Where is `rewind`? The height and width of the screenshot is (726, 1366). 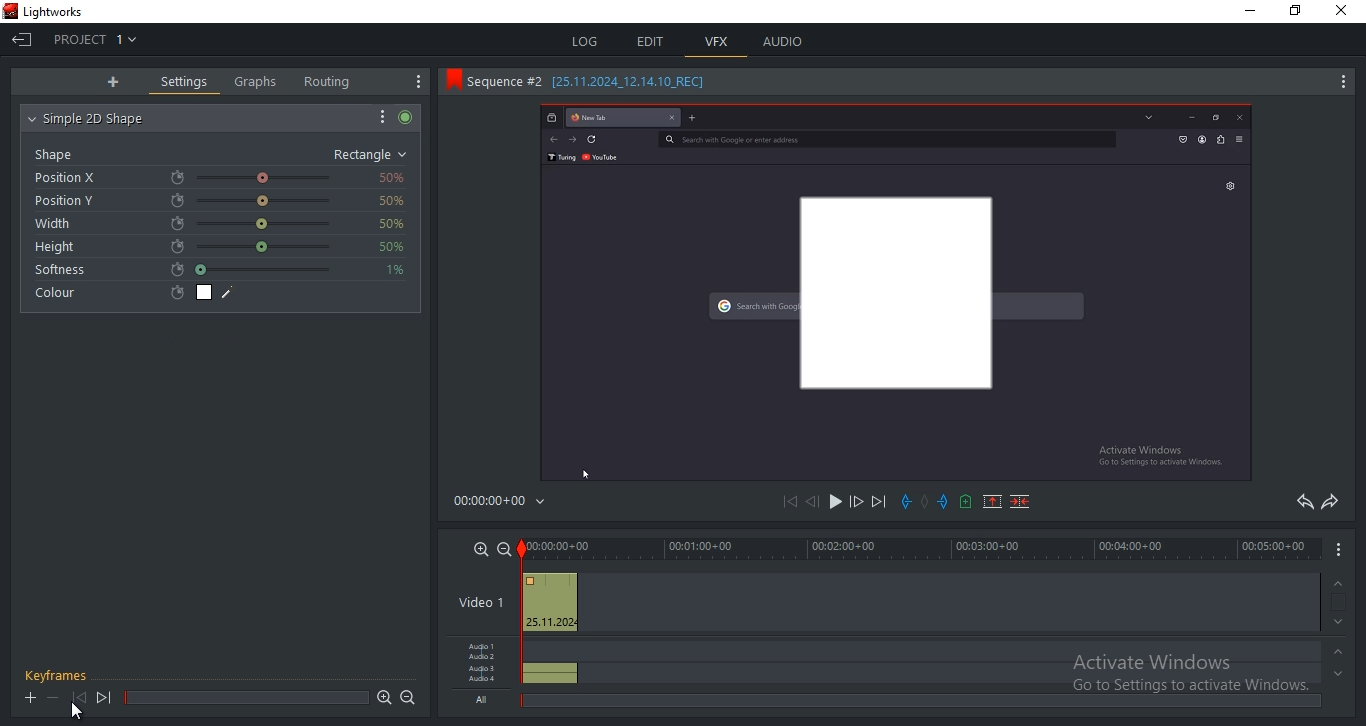
rewind is located at coordinates (811, 503).